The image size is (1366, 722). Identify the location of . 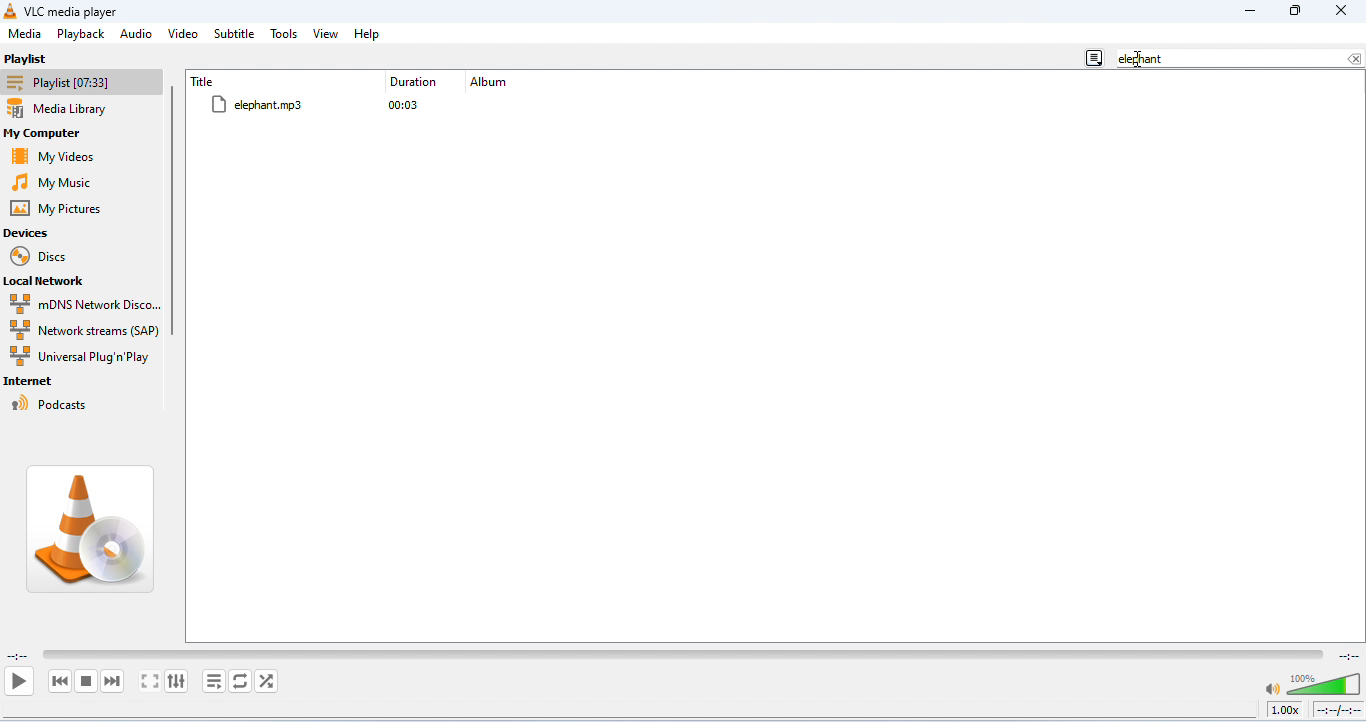
(26, 34).